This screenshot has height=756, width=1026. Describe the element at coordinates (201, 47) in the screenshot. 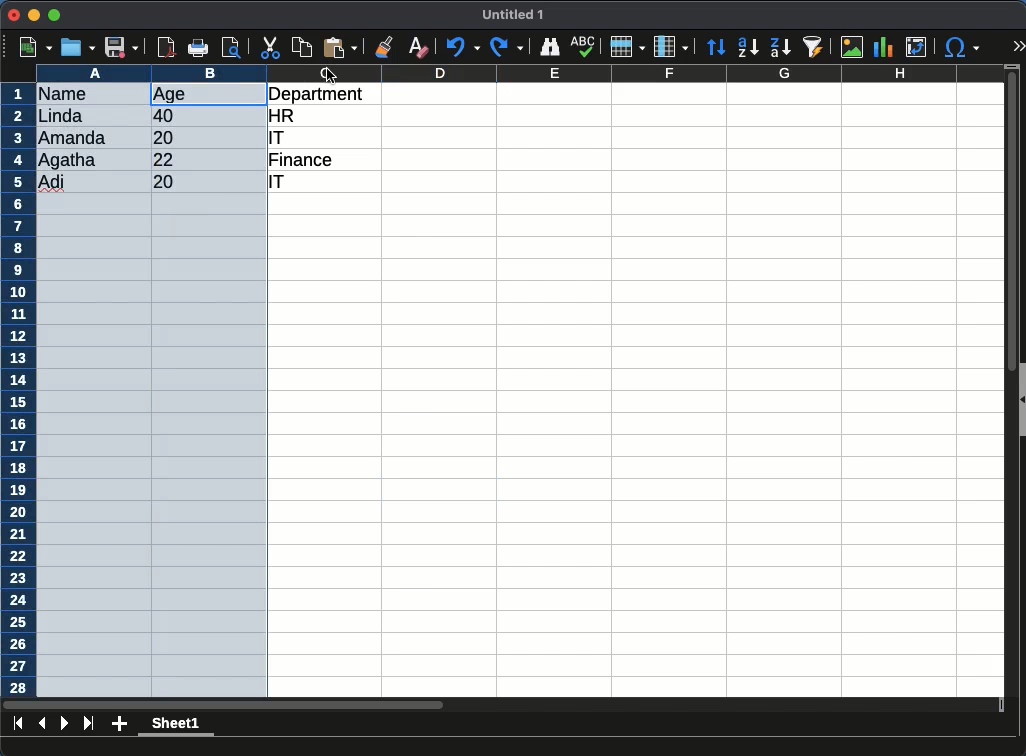

I see `print` at that location.